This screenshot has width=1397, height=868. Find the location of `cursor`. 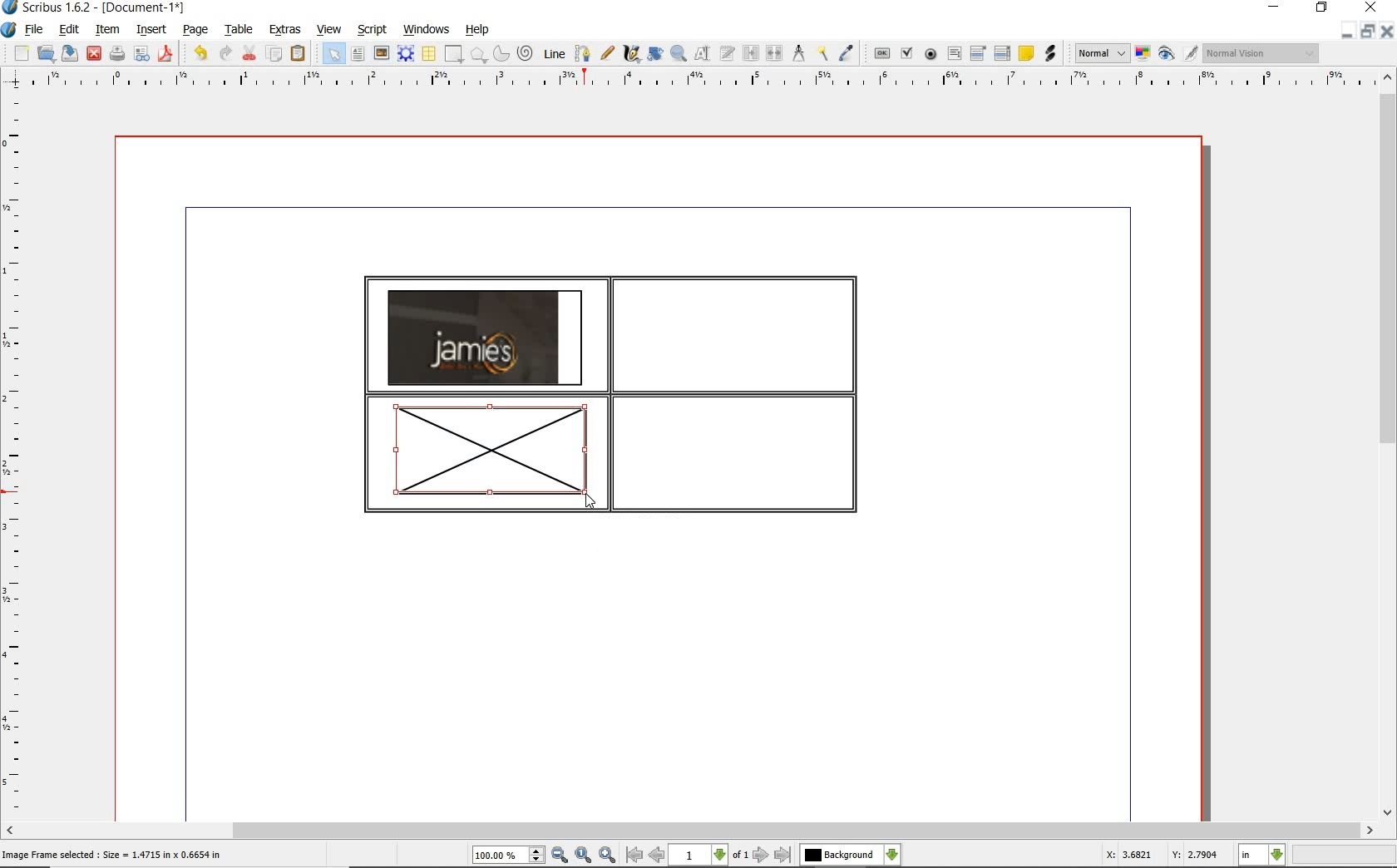

cursor is located at coordinates (590, 502).